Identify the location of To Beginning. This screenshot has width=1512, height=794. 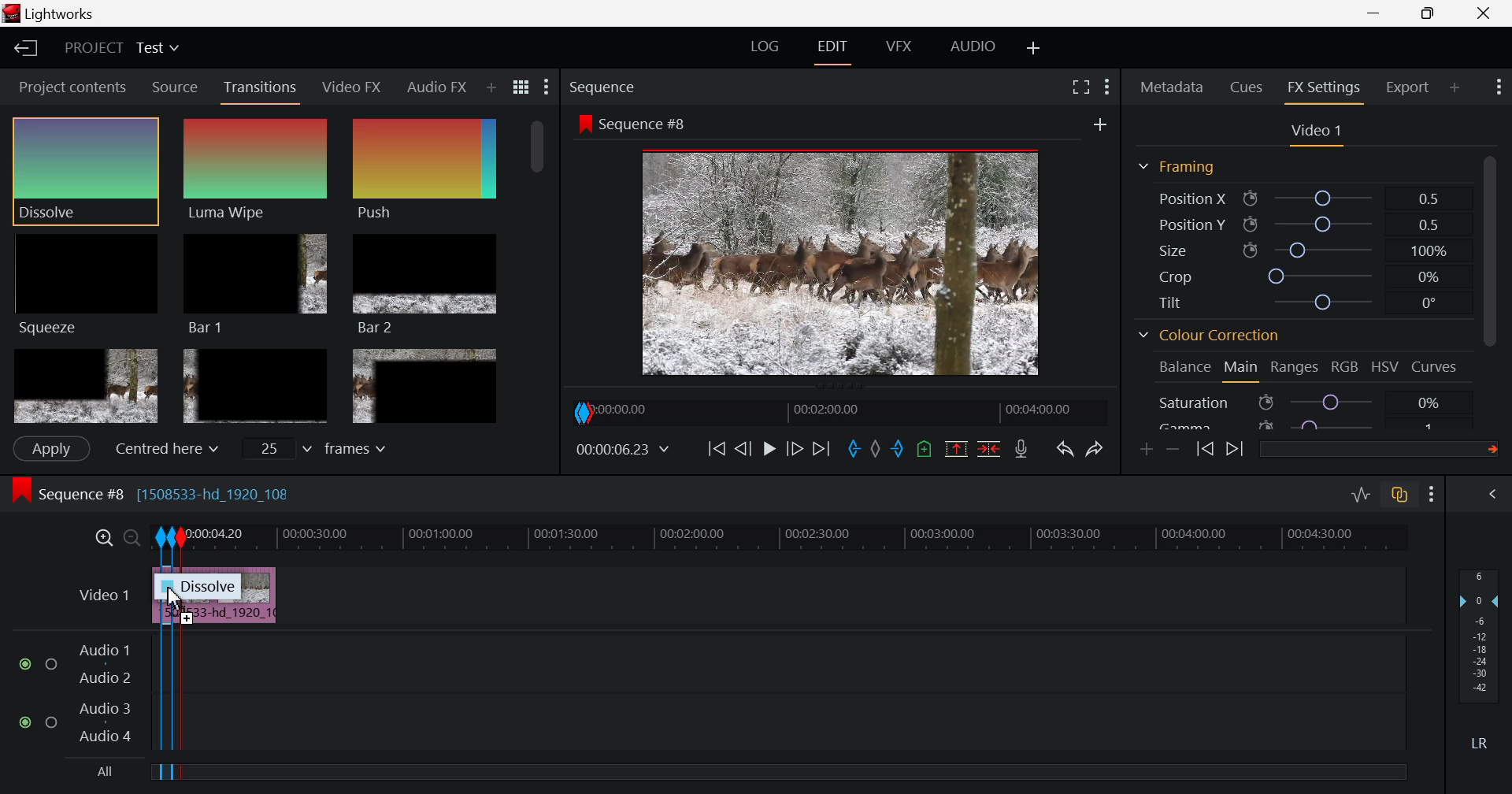
(714, 450).